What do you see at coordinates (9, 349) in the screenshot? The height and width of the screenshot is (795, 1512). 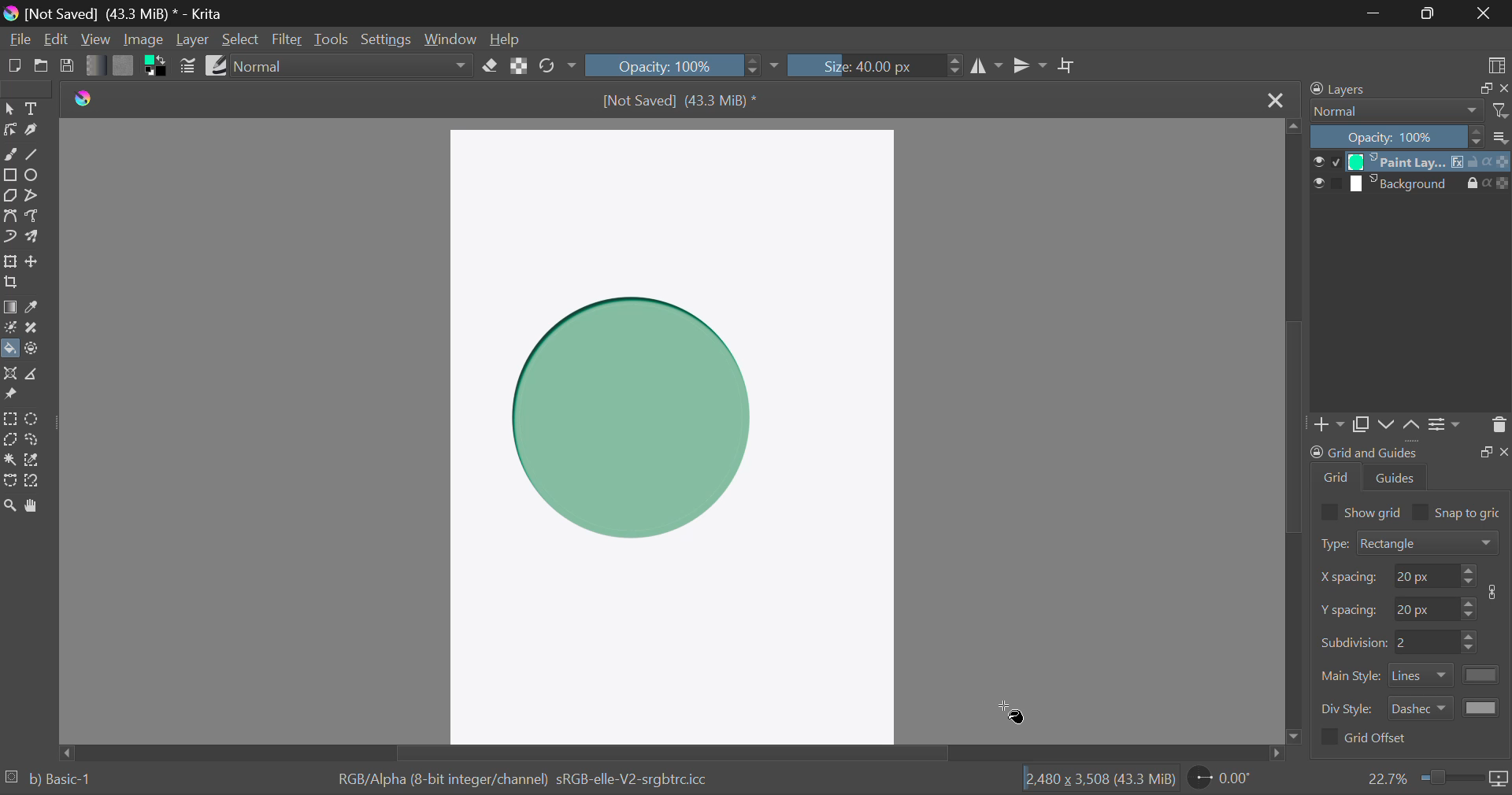 I see `Fill` at bounding box center [9, 349].